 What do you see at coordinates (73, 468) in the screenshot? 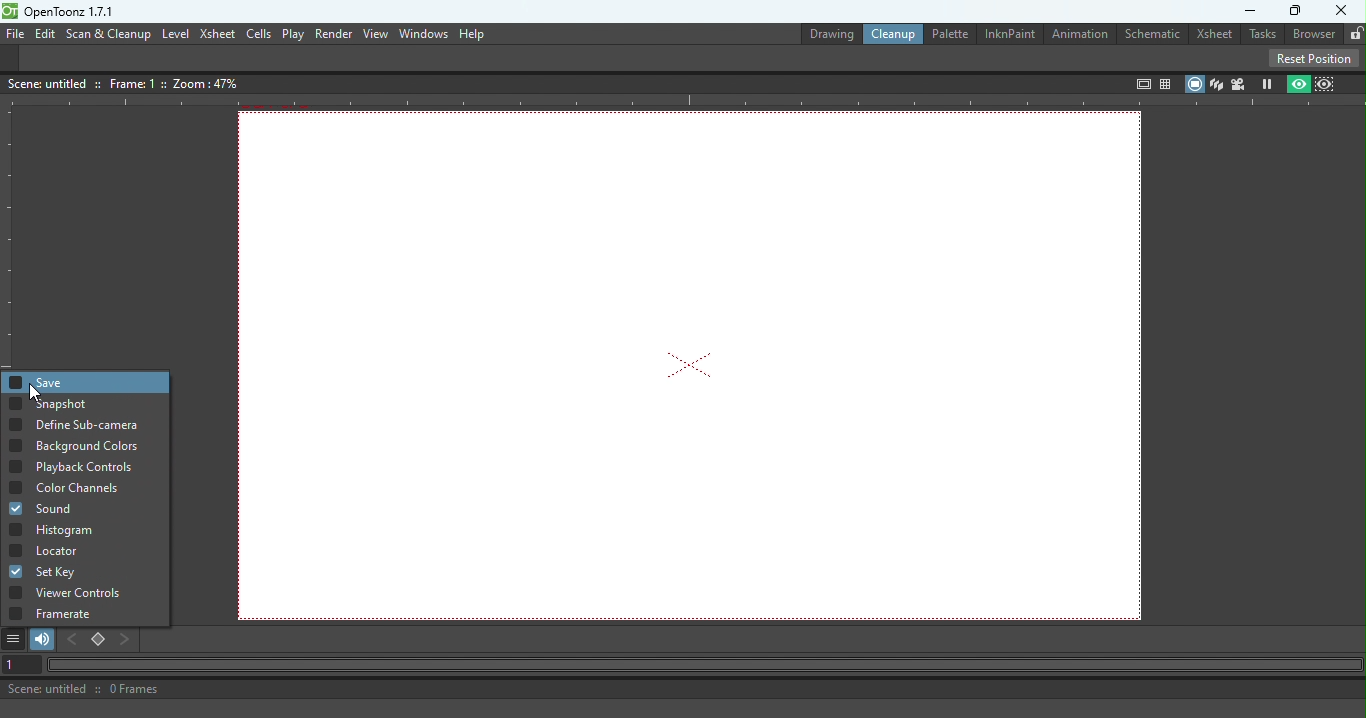
I see `Playback controls` at bounding box center [73, 468].